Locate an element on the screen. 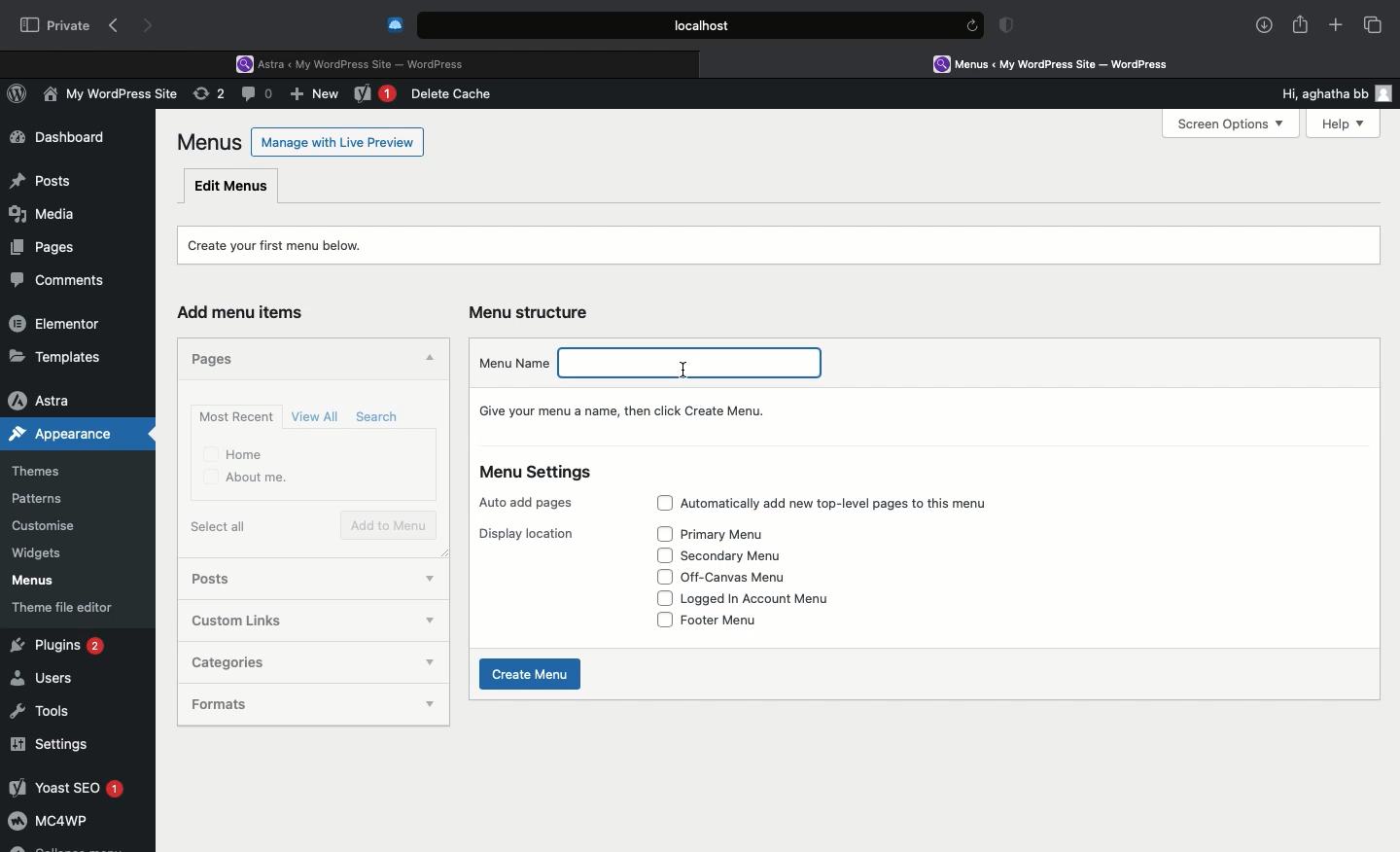 The width and height of the screenshot is (1400, 852). Astra < My WordPress Site - WordPress is located at coordinates (357, 62).